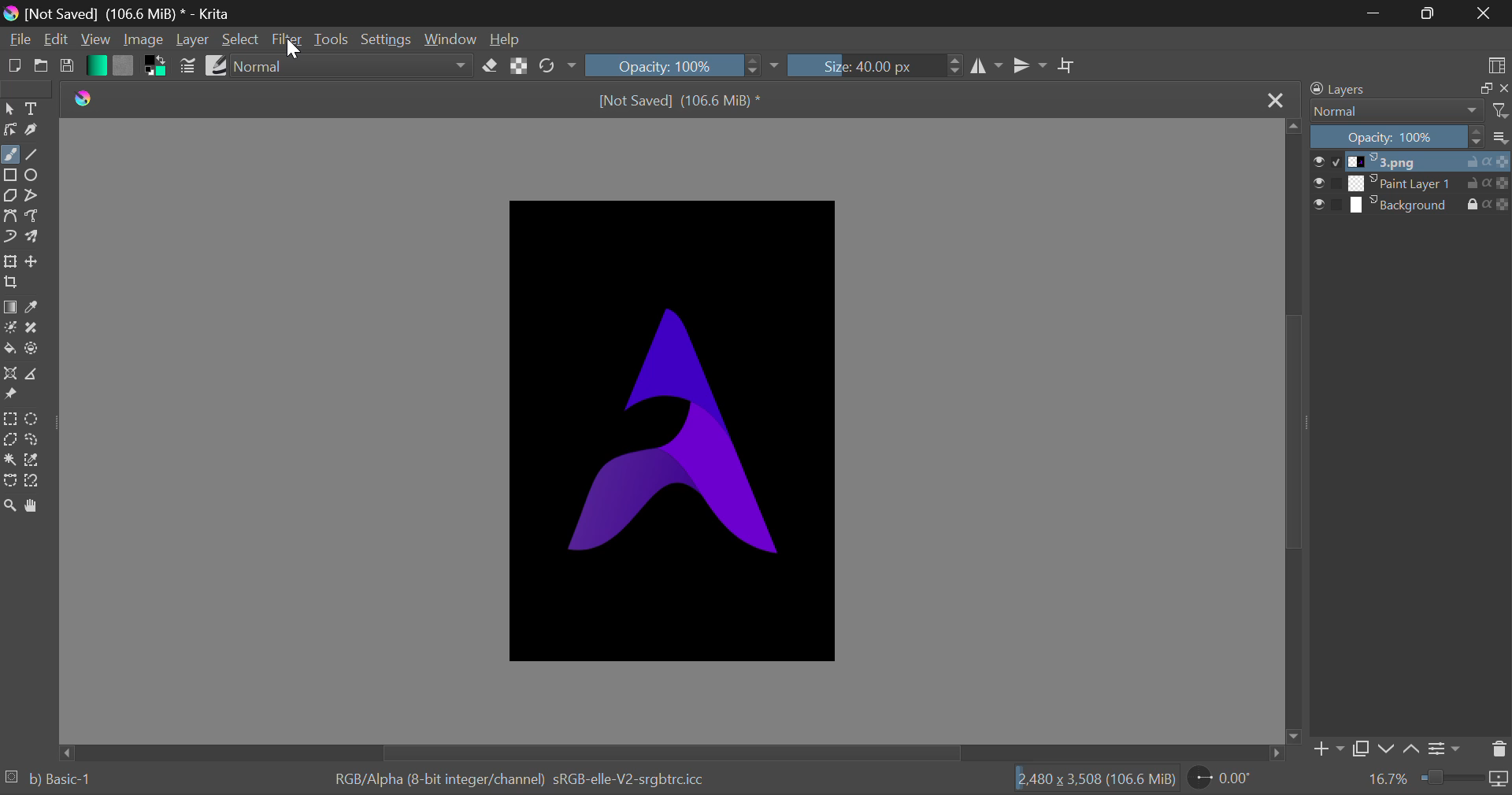 The image size is (1512, 795). What do you see at coordinates (10, 307) in the screenshot?
I see `Gradient Fill` at bounding box center [10, 307].